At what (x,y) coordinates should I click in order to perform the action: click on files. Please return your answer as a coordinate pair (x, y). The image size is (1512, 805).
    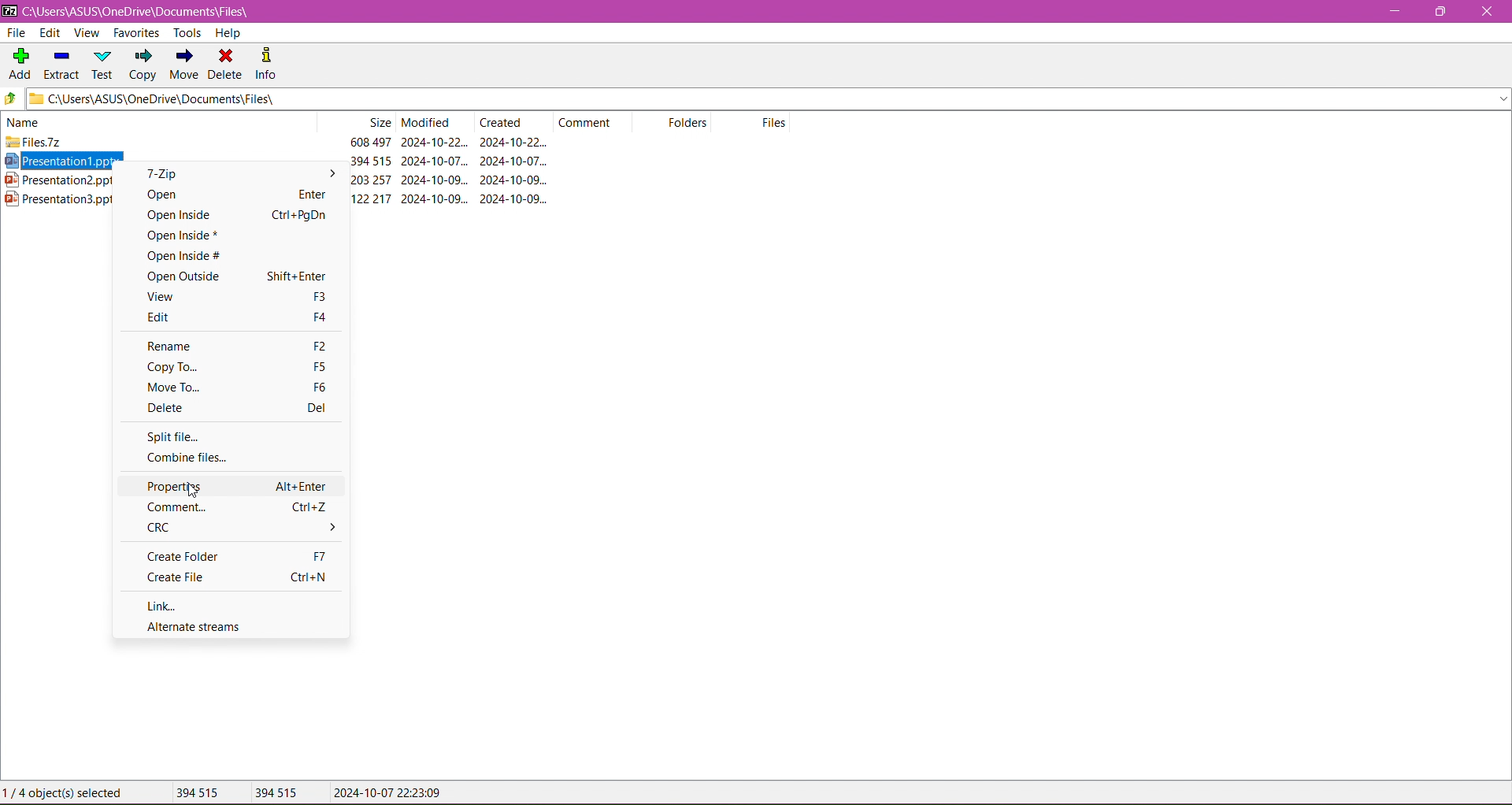
    Looking at the image, I should click on (774, 122).